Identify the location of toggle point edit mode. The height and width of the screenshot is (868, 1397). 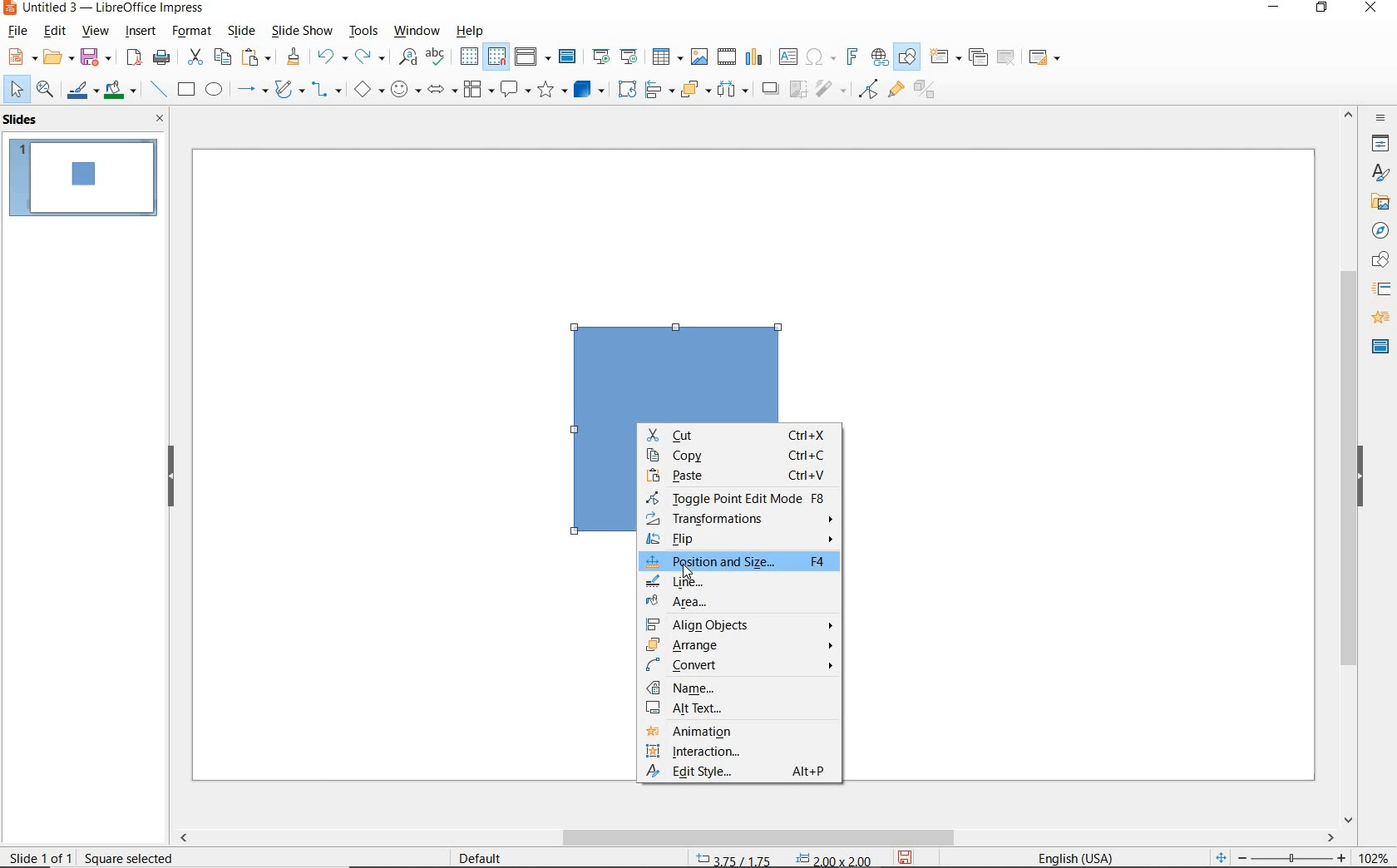
(867, 91).